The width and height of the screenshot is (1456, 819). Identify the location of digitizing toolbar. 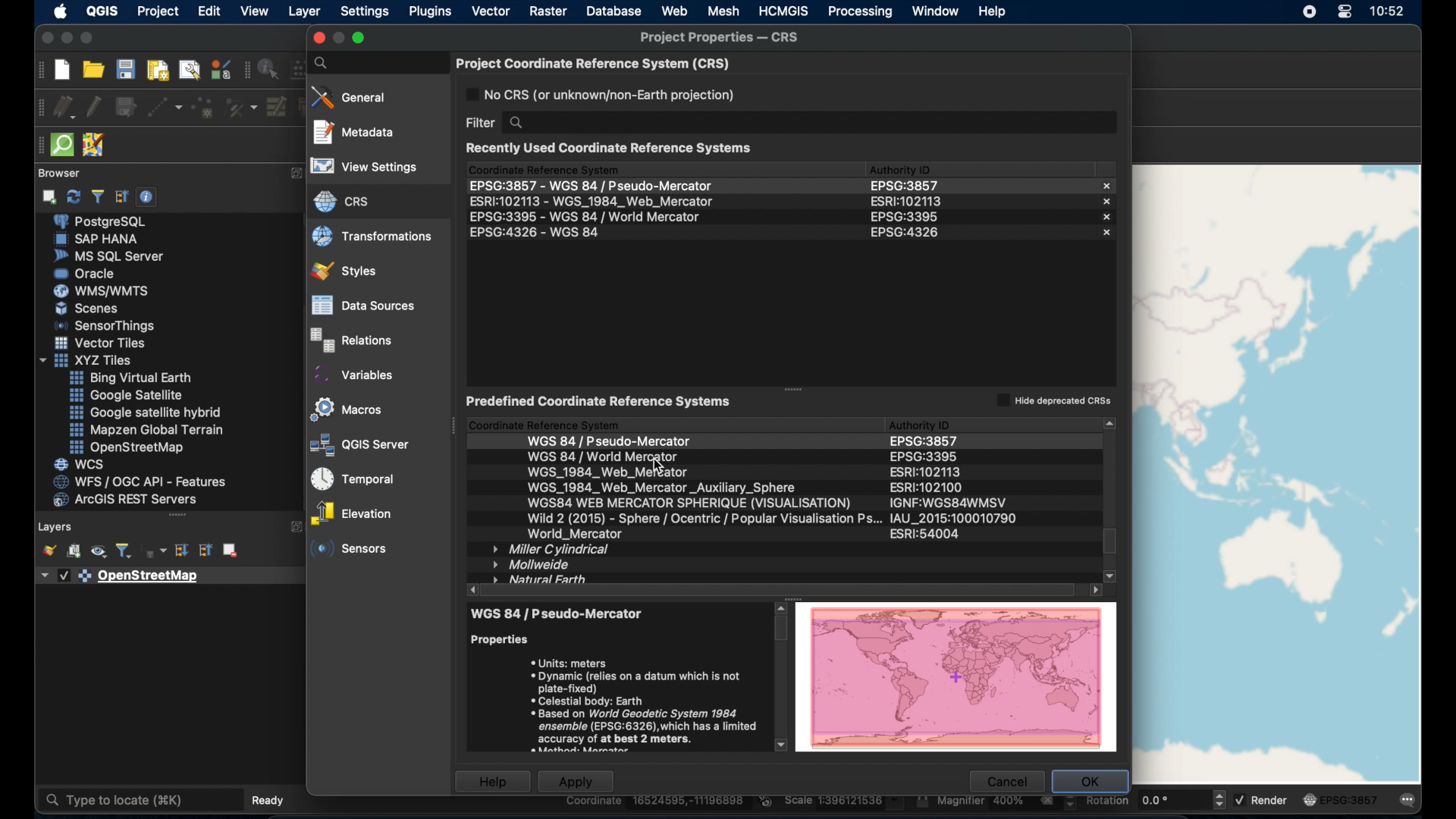
(36, 108).